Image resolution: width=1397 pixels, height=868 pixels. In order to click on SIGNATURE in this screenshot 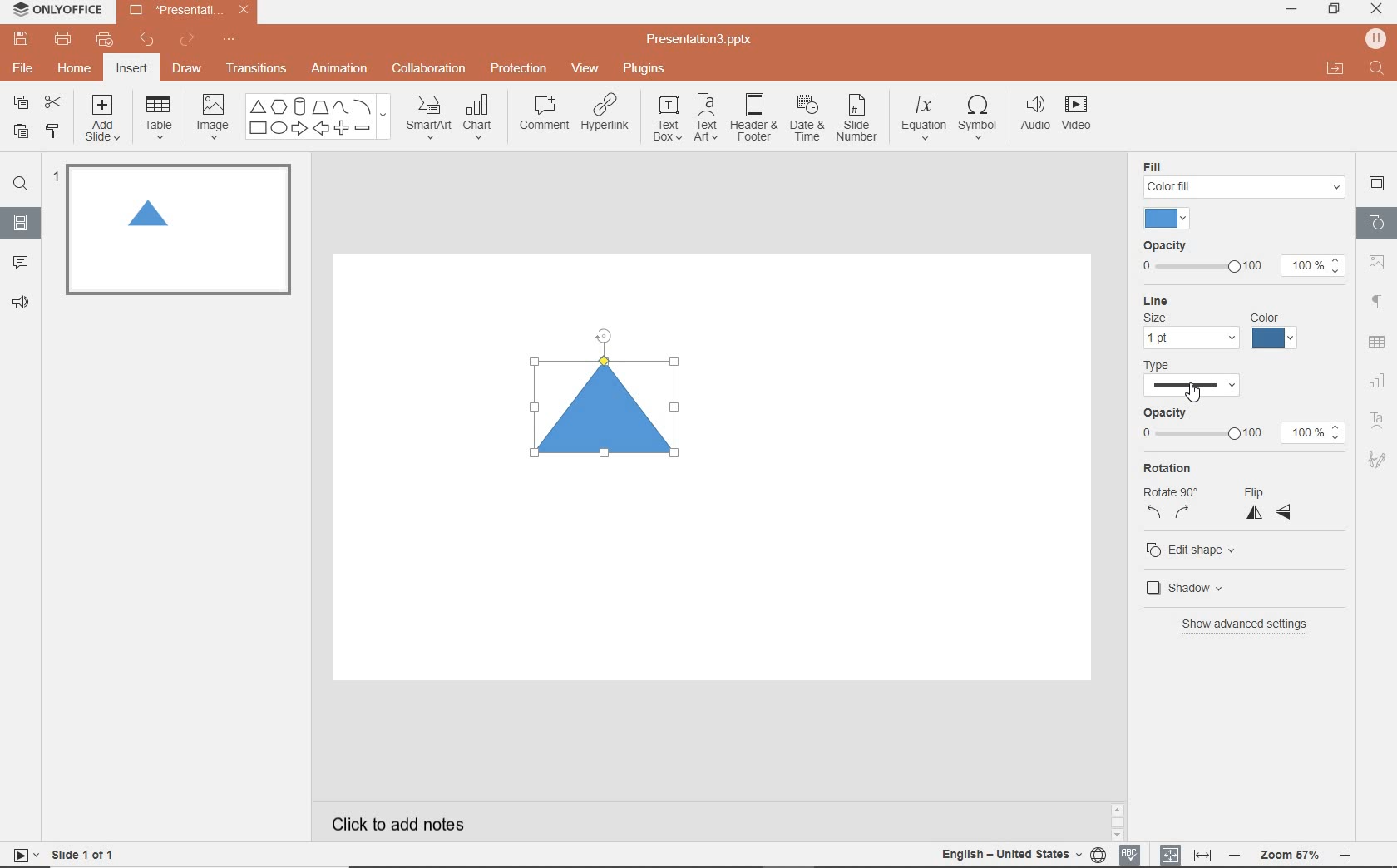, I will do `click(1380, 458)`.